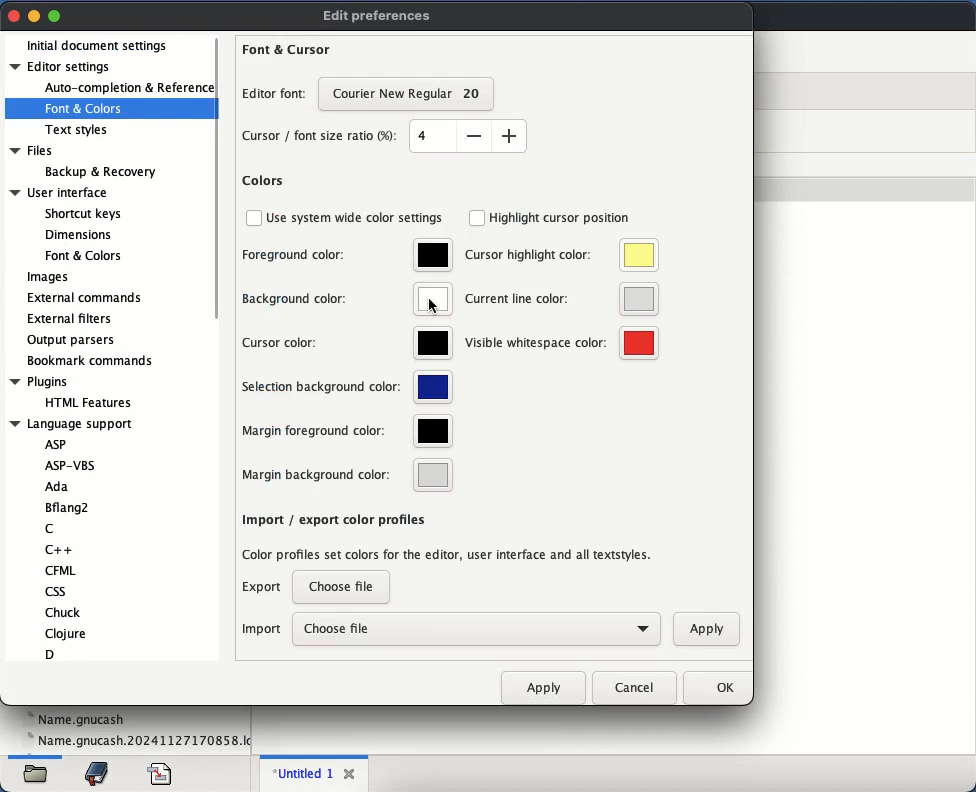 This screenshot has width=976, height=792. Describe the element at coordinates (562, 298) in the screenshot. I see `current line color` at that location.